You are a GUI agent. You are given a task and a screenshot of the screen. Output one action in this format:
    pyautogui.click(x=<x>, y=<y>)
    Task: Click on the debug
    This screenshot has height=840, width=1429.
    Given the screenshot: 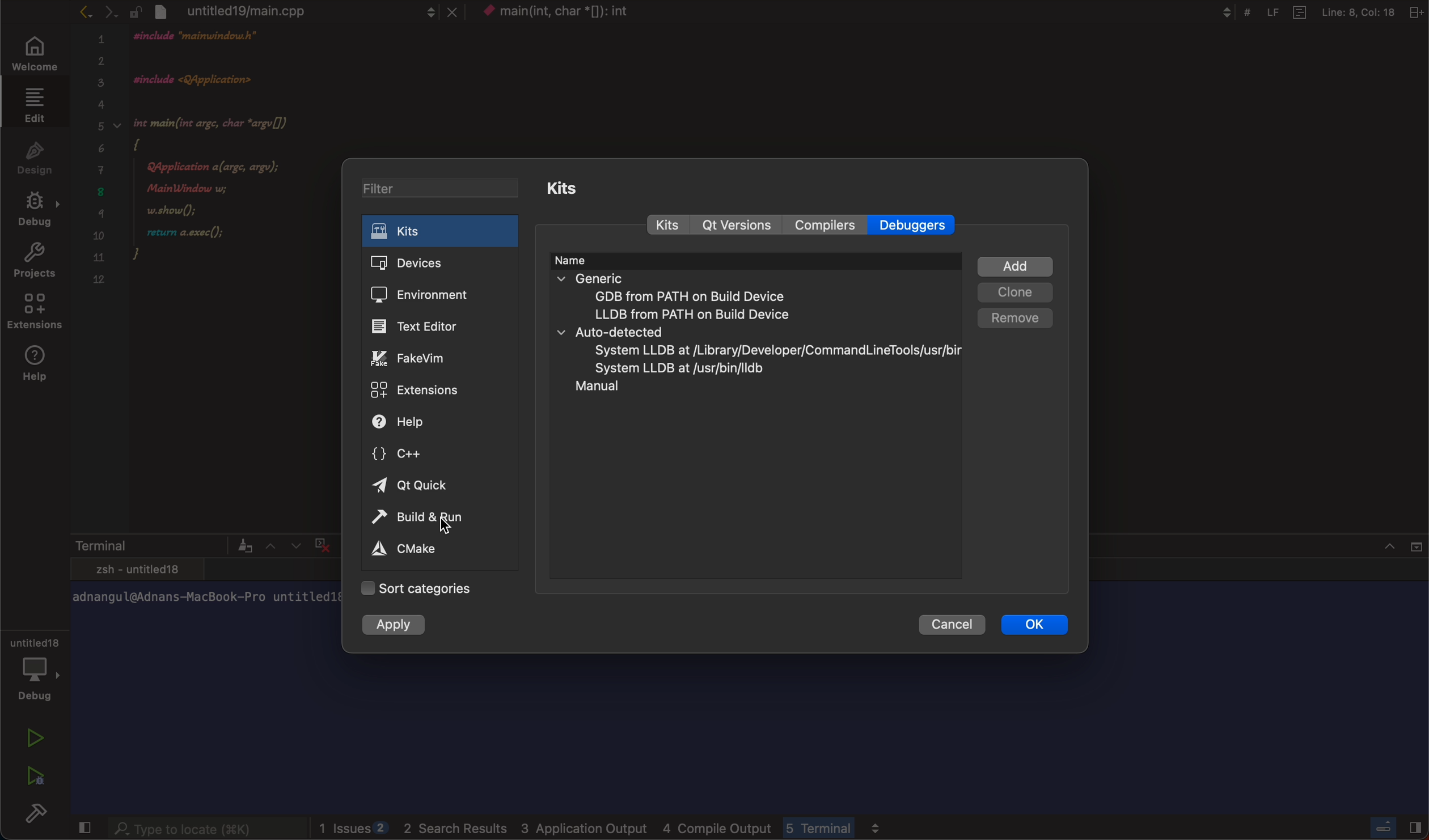 What is the action you would take?
    pyautogui.click(x=39, y=668)
    